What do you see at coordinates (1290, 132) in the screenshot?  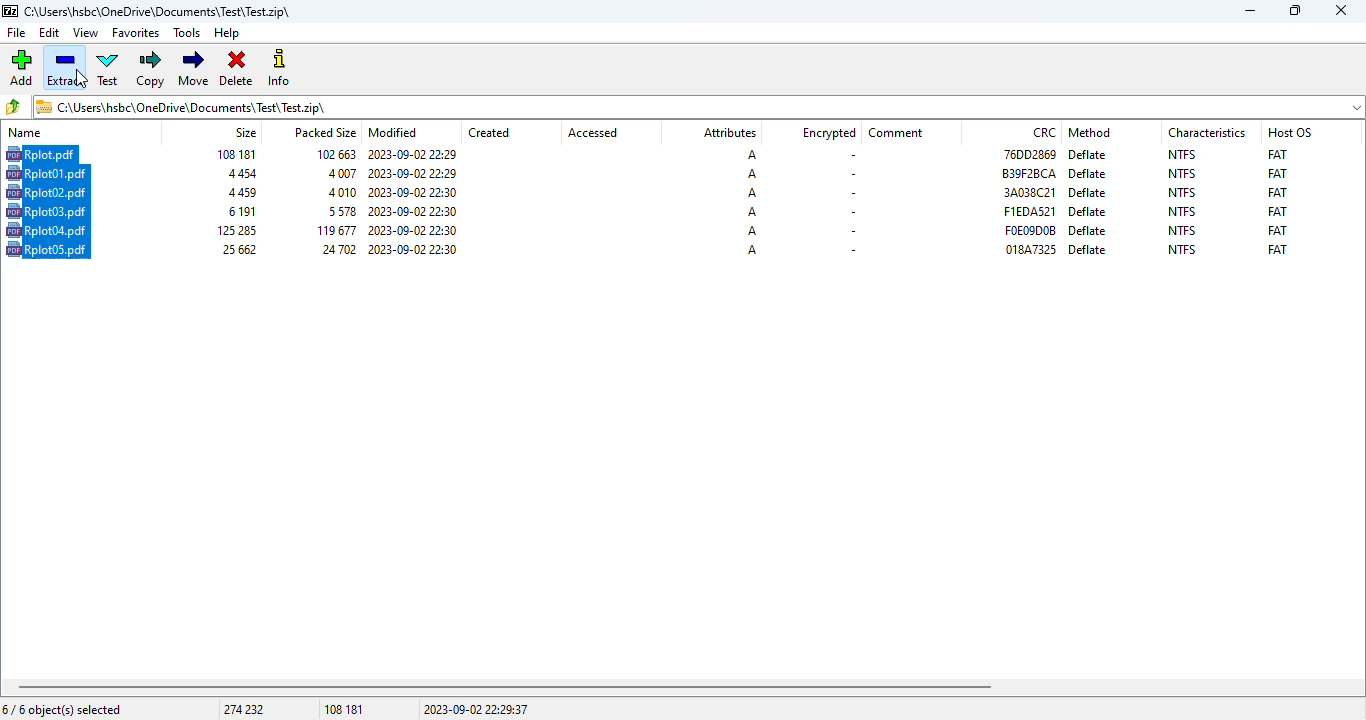 I see `host OS` at bounding box center [1290, 132].